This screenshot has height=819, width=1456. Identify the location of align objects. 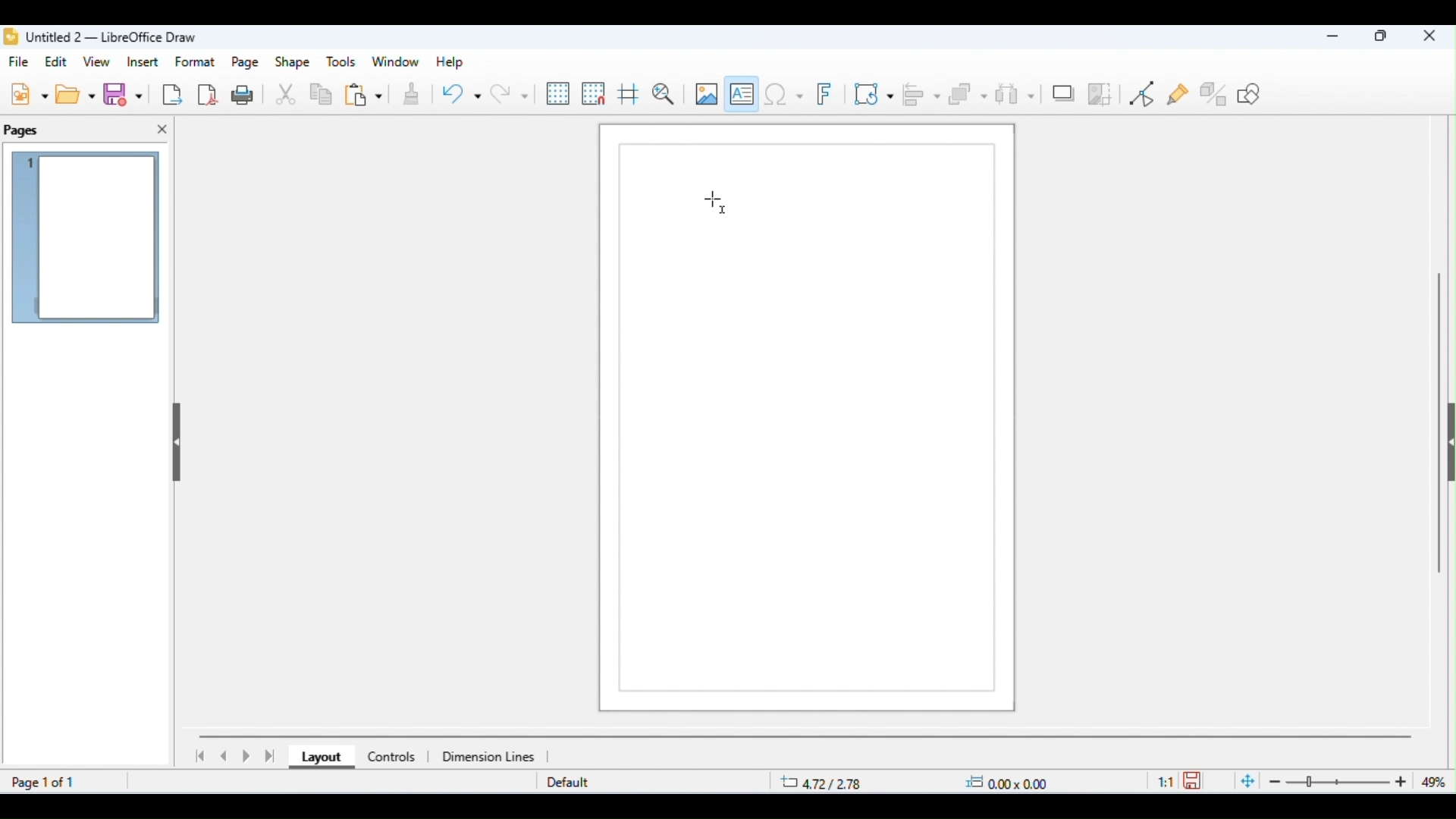
(923, 94).